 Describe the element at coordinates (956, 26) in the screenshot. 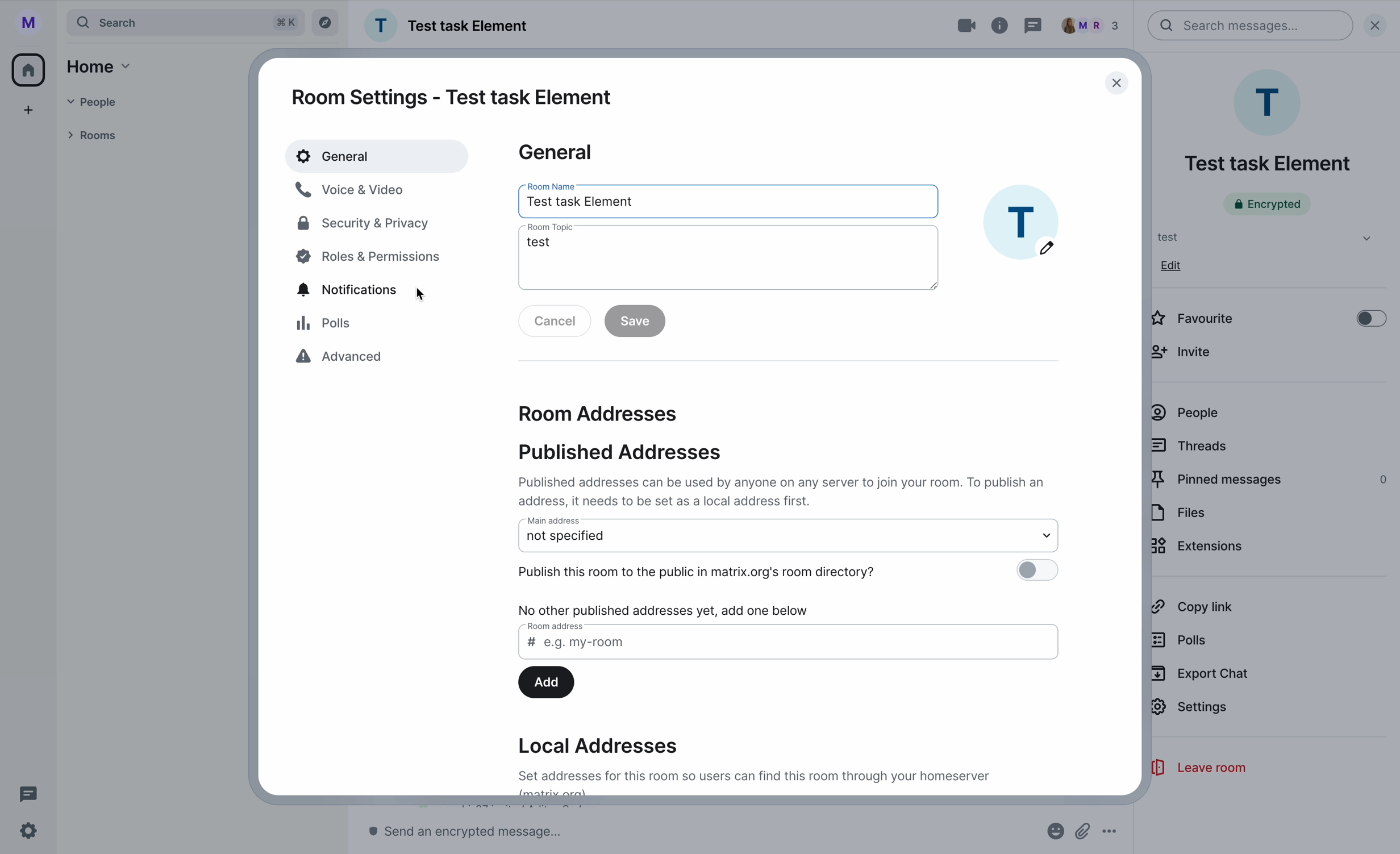

I see `video call` at that location.